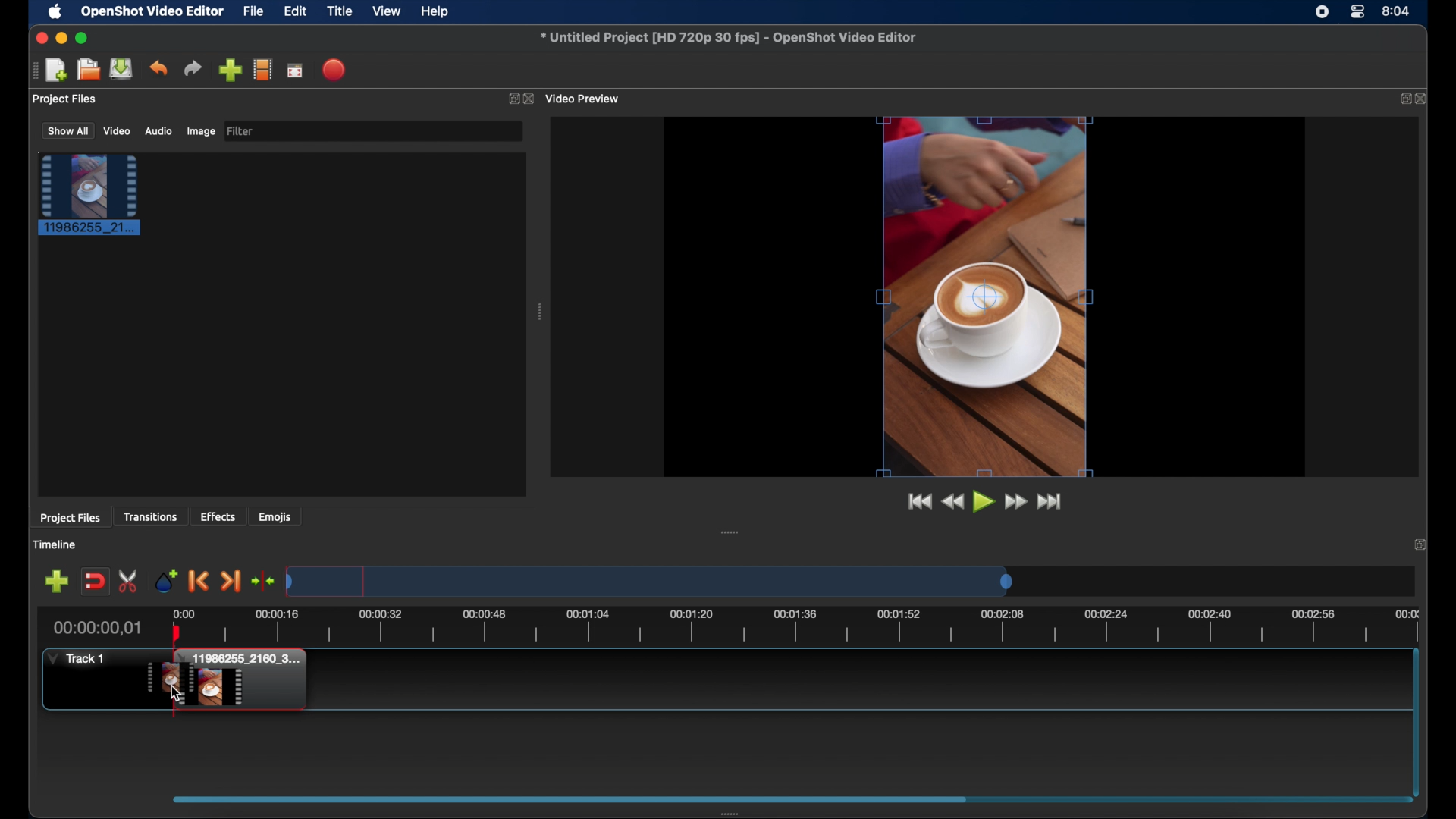 This screenshot has width=1456, height=819. Describe the element at coordinates (728, 36) in the screenshot. I see `file name` at that location.